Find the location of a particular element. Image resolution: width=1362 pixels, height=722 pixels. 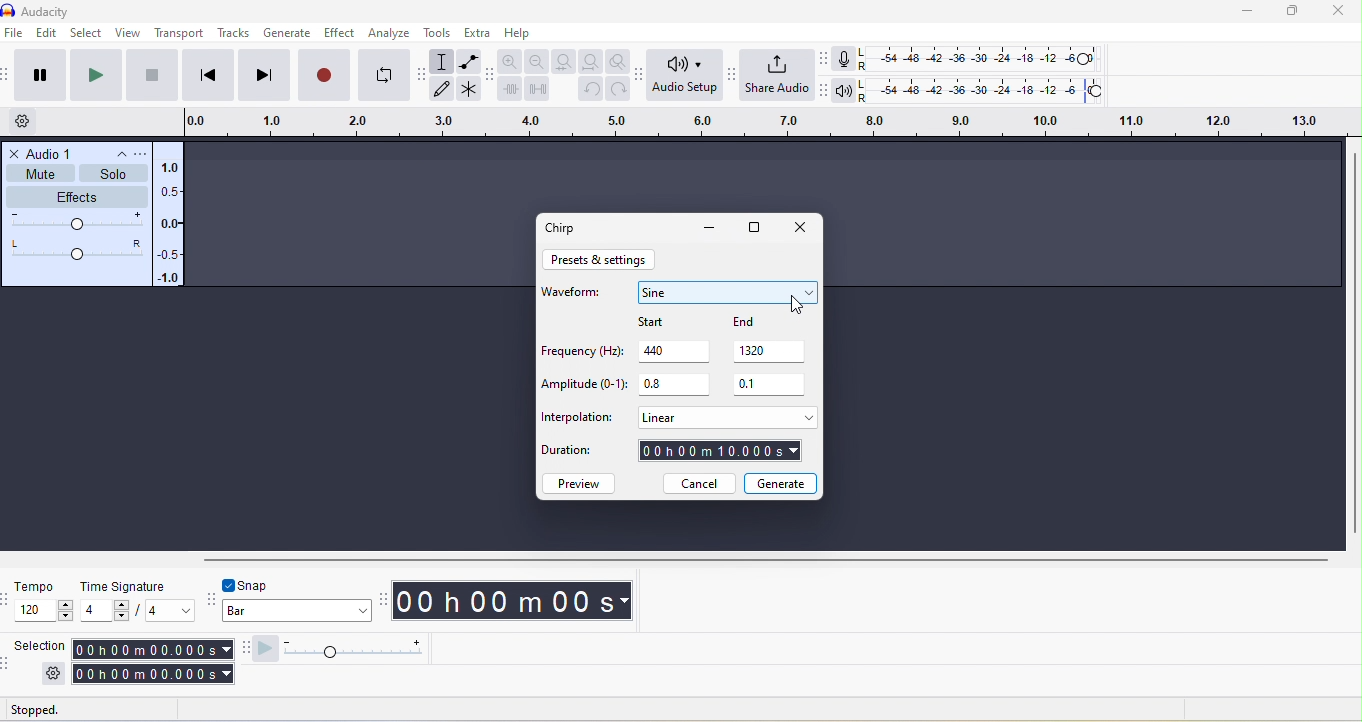

preview is located at coordinates (581, 483).